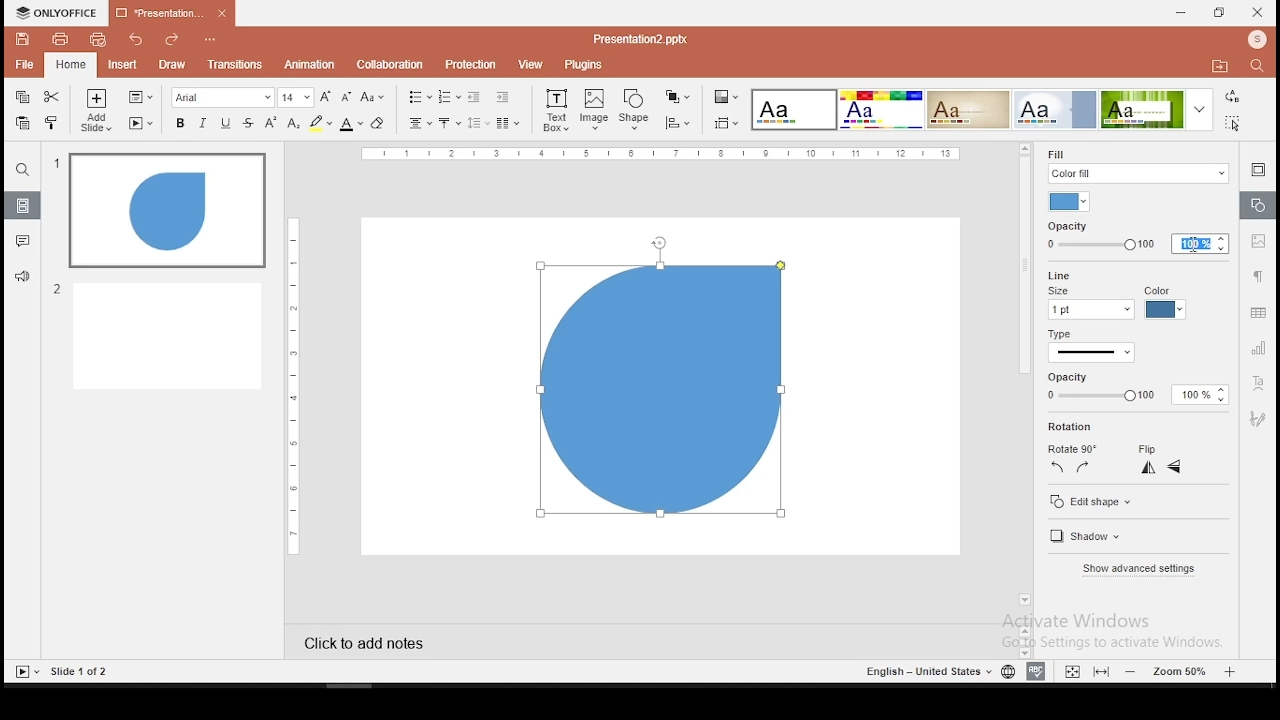  What do you see at coordinates (167, 211) in the screenshot?
I see `slide 1` at bounding box center [167, 211].